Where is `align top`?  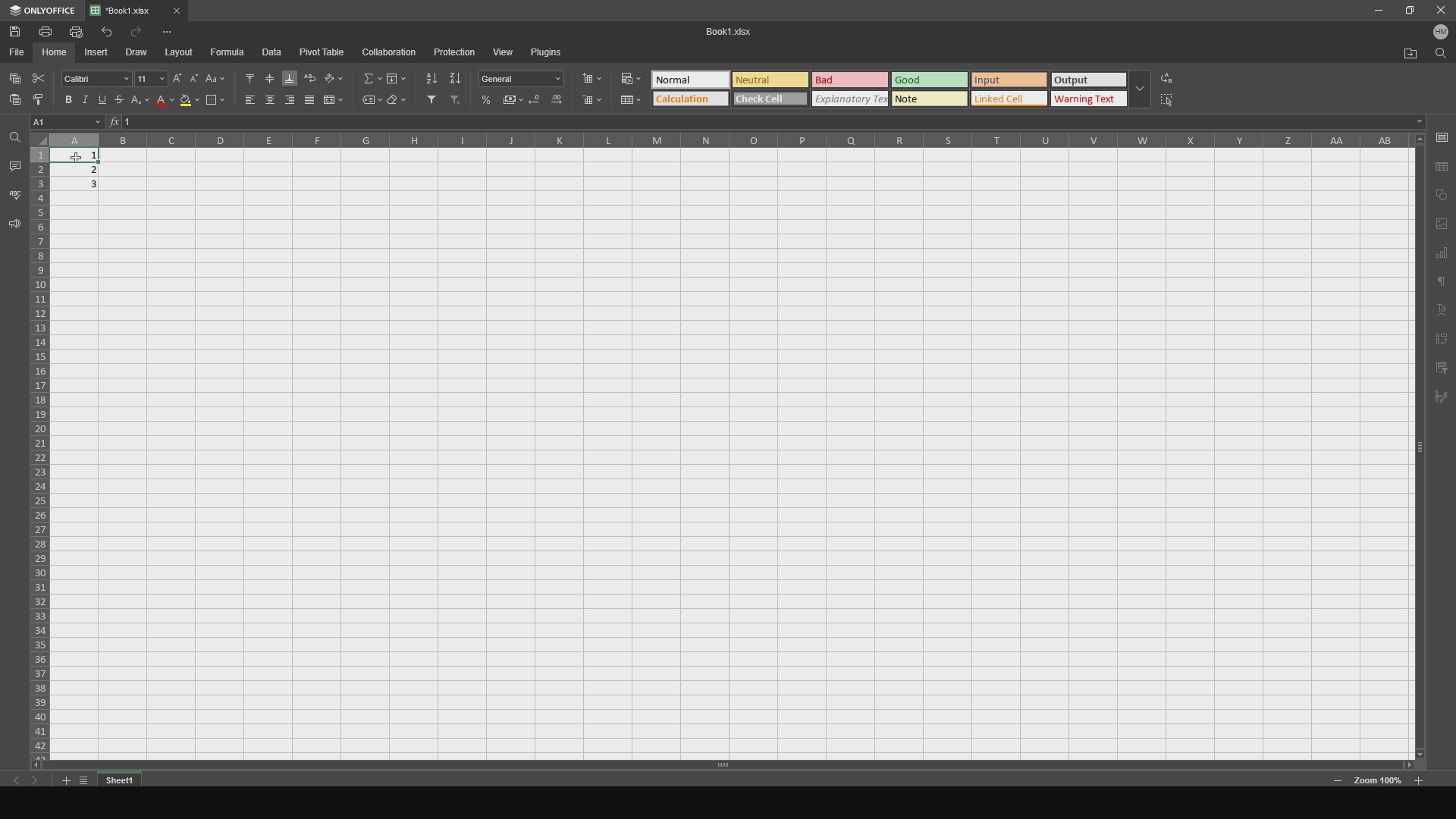
align top is located at coordinates (243, 76).